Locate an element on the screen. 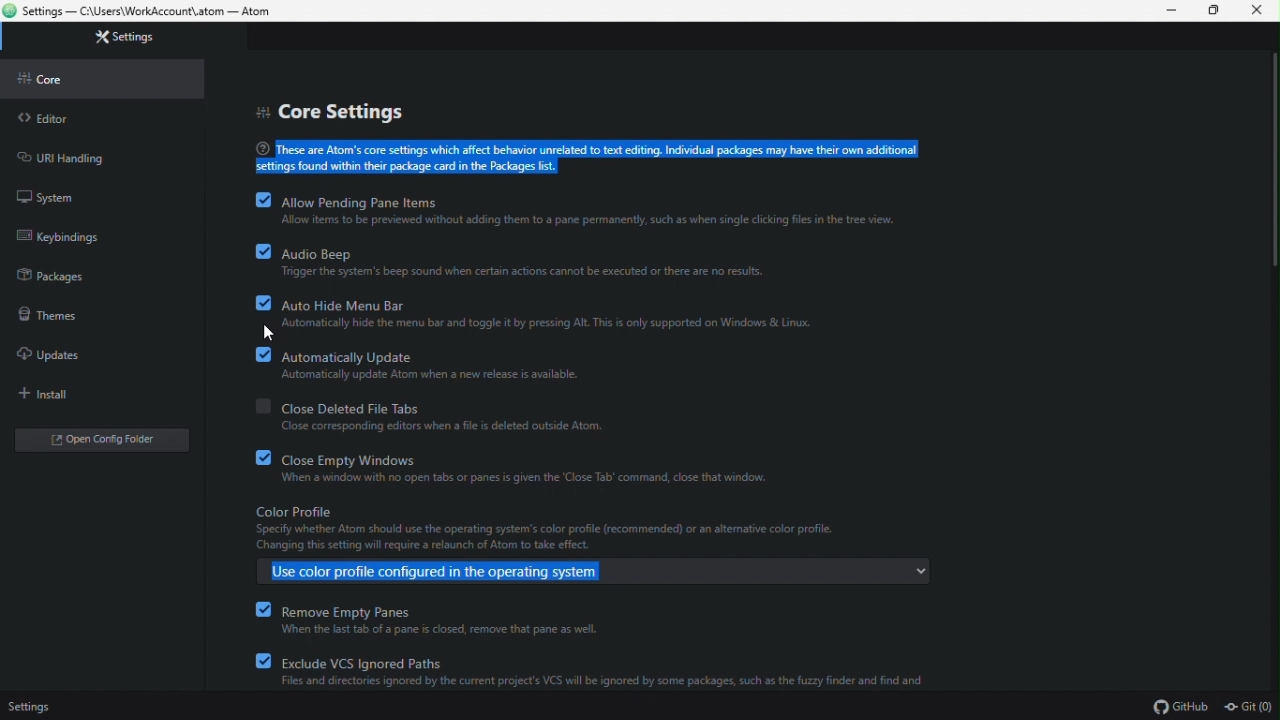 The height and width of the screenshot is (720, 1280). Audio Beep
Tigger the system's beep sound when certain actions cannot be executed or there are no results. is located at coordinates (568, 261).